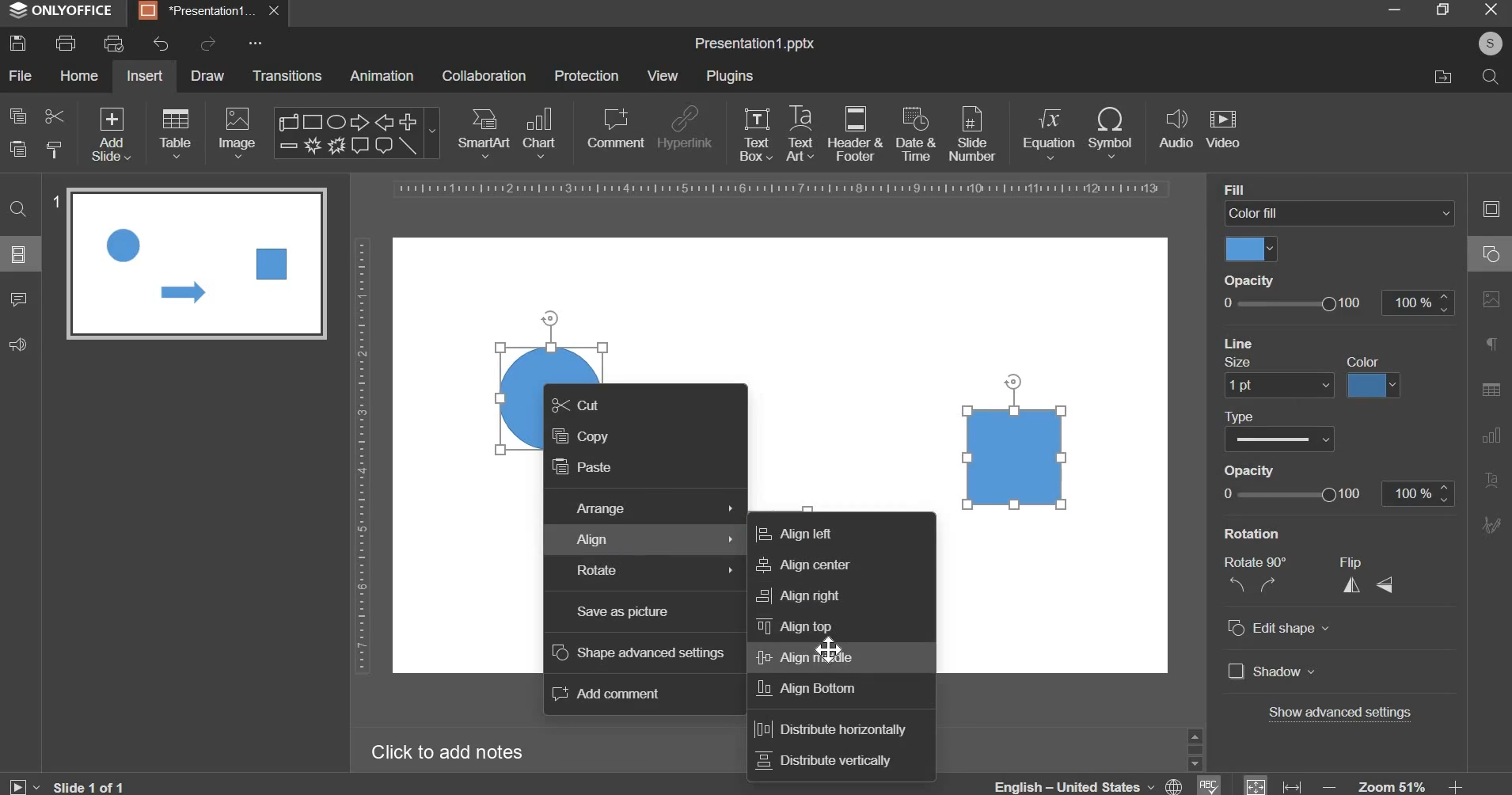 The width and height of the screenshot is (1512, 795). What do you see at coordinates (808, 689) in the screenshot?
I see `align bottom` at bounding box center [808, 689].